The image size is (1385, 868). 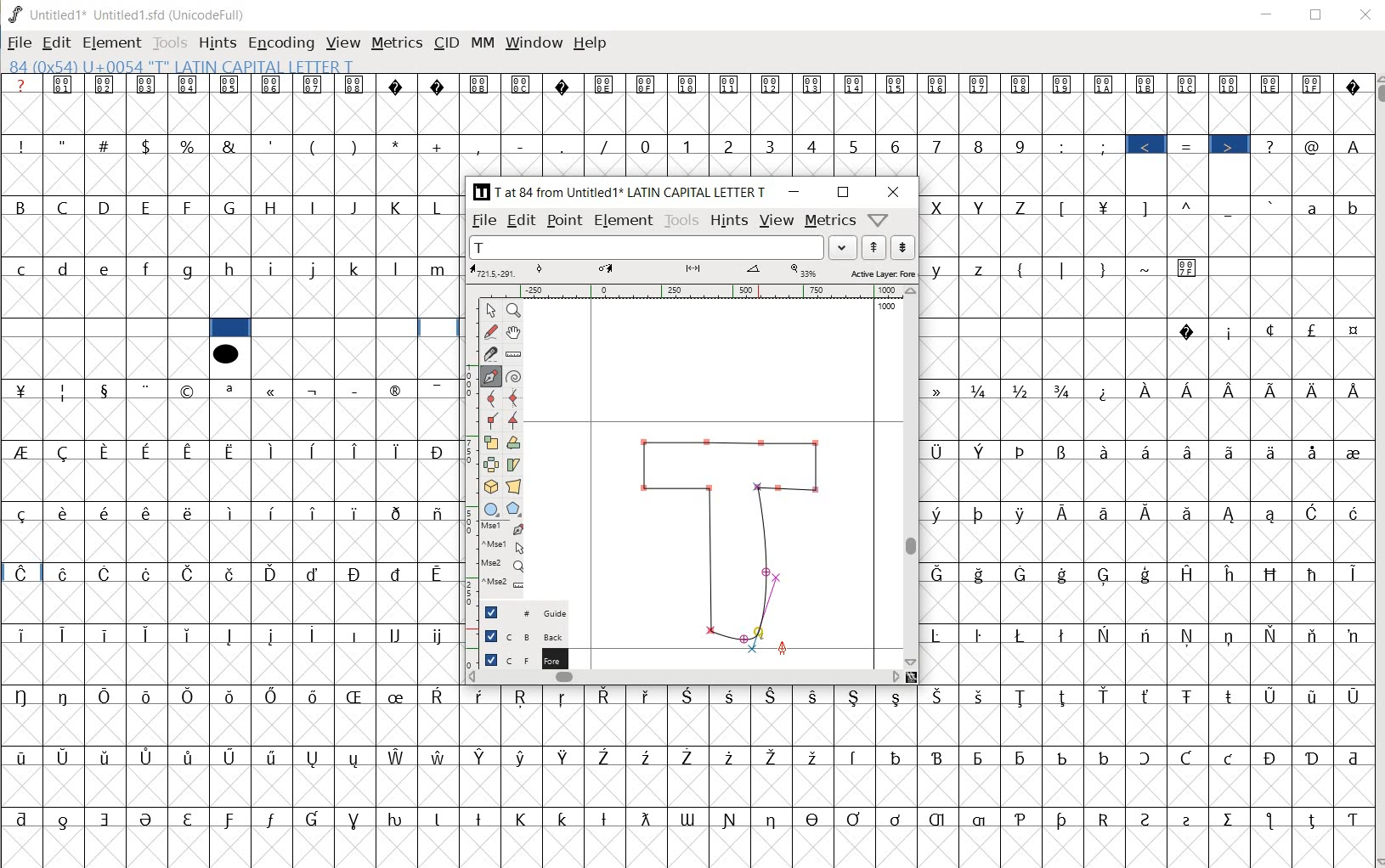 What do you see at coordinates (564, 147) in the screenshot?
I see `.` at bounding box center [564, 147].